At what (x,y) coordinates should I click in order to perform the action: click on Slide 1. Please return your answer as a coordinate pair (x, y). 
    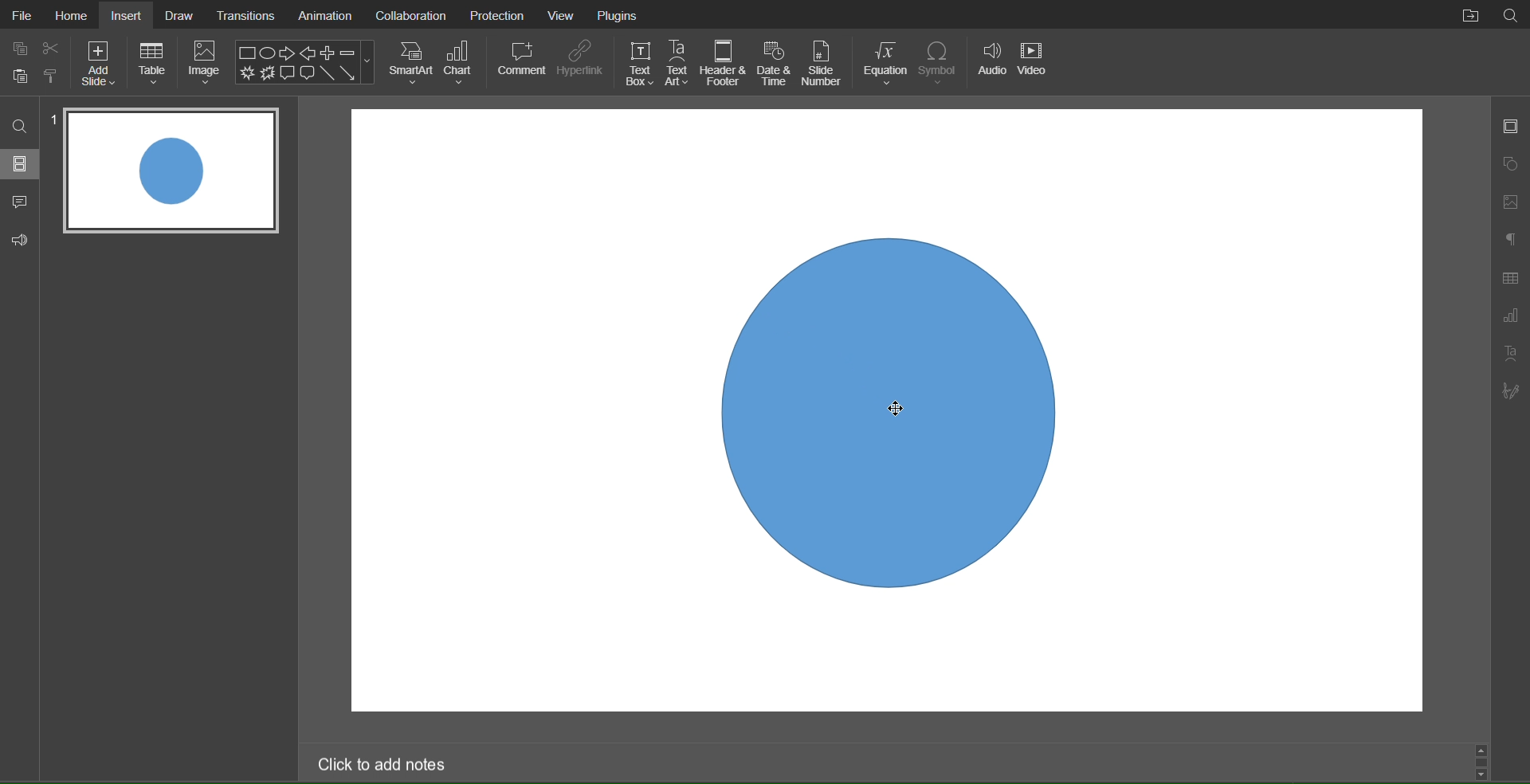
    Looking at the image, I should click on (169, 172).